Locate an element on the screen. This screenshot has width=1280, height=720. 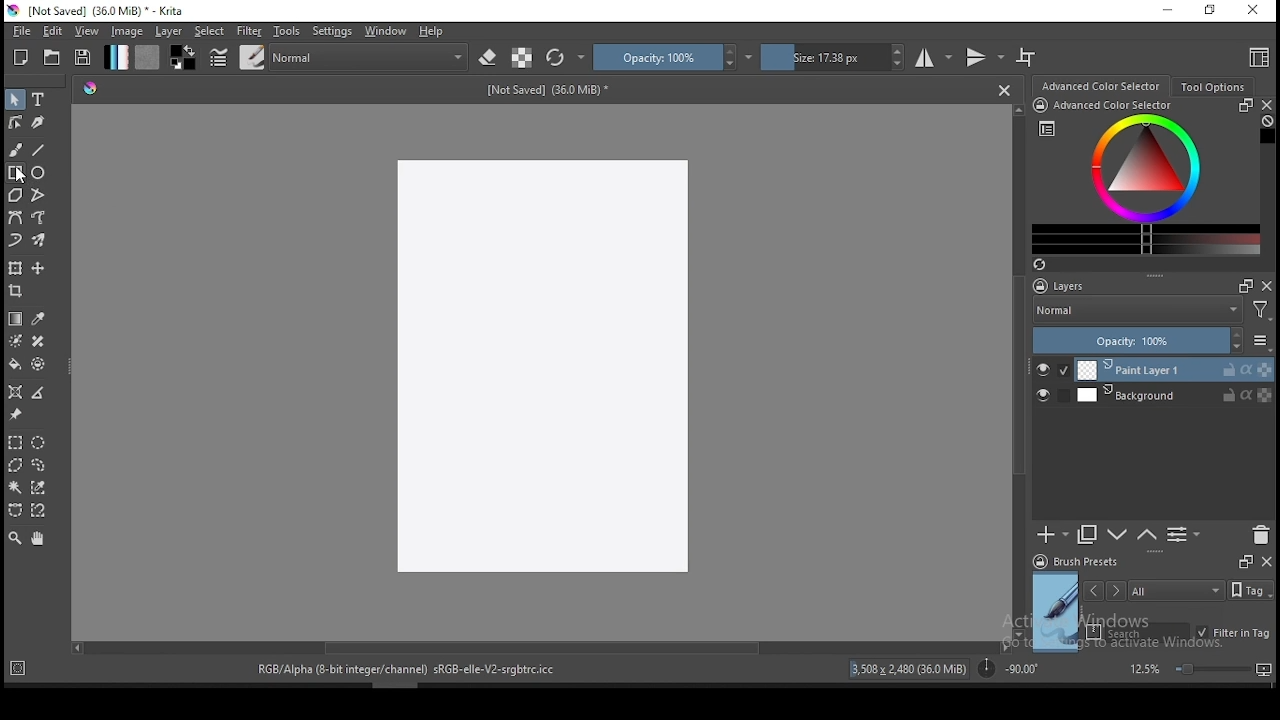
multibrush tool is located at coordinates (40, 242).